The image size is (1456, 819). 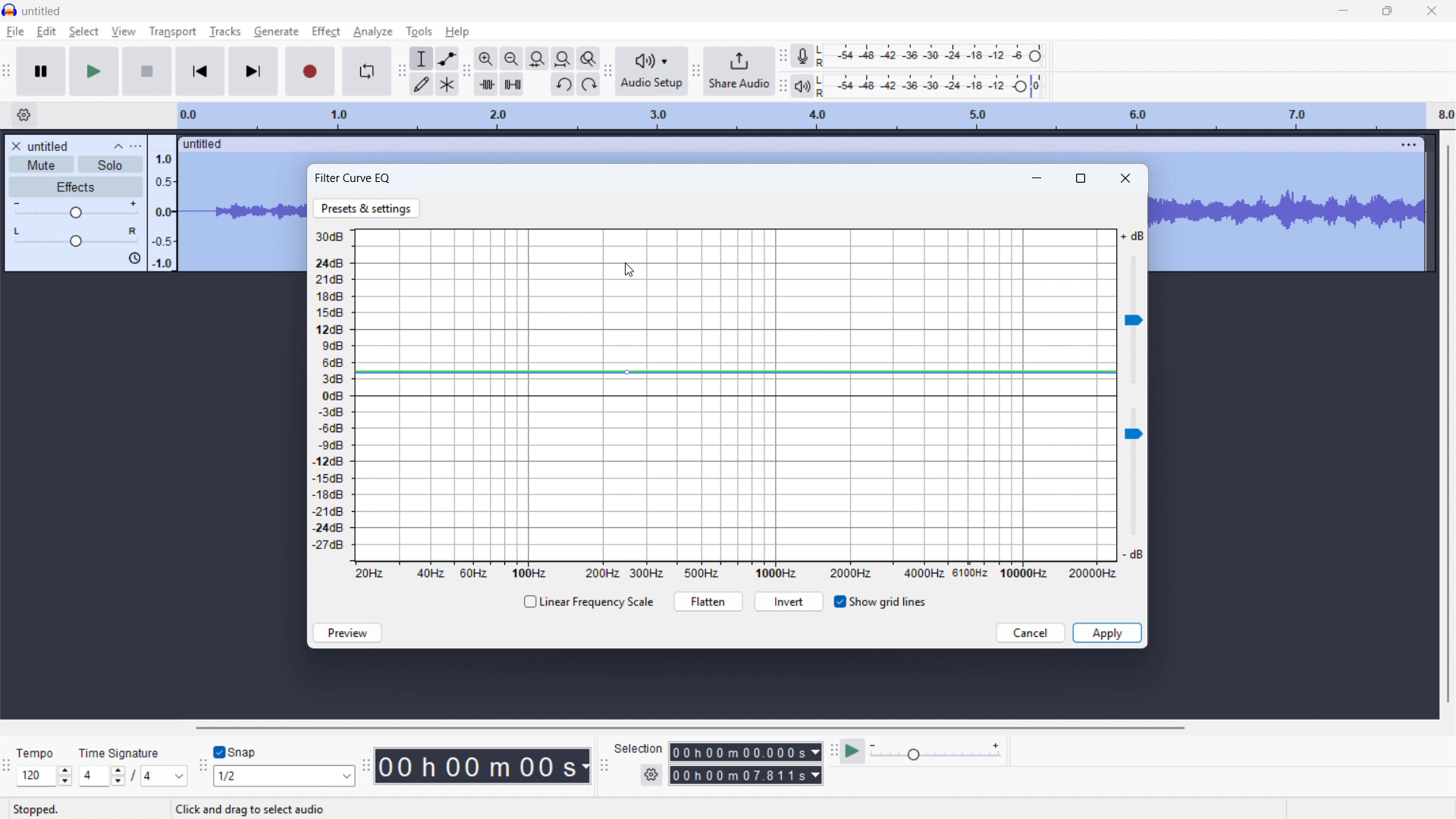 What do you see at coordinates (485, 58) in the screenshot?
I see `Zoom in ` at bounding box center [485, 58].